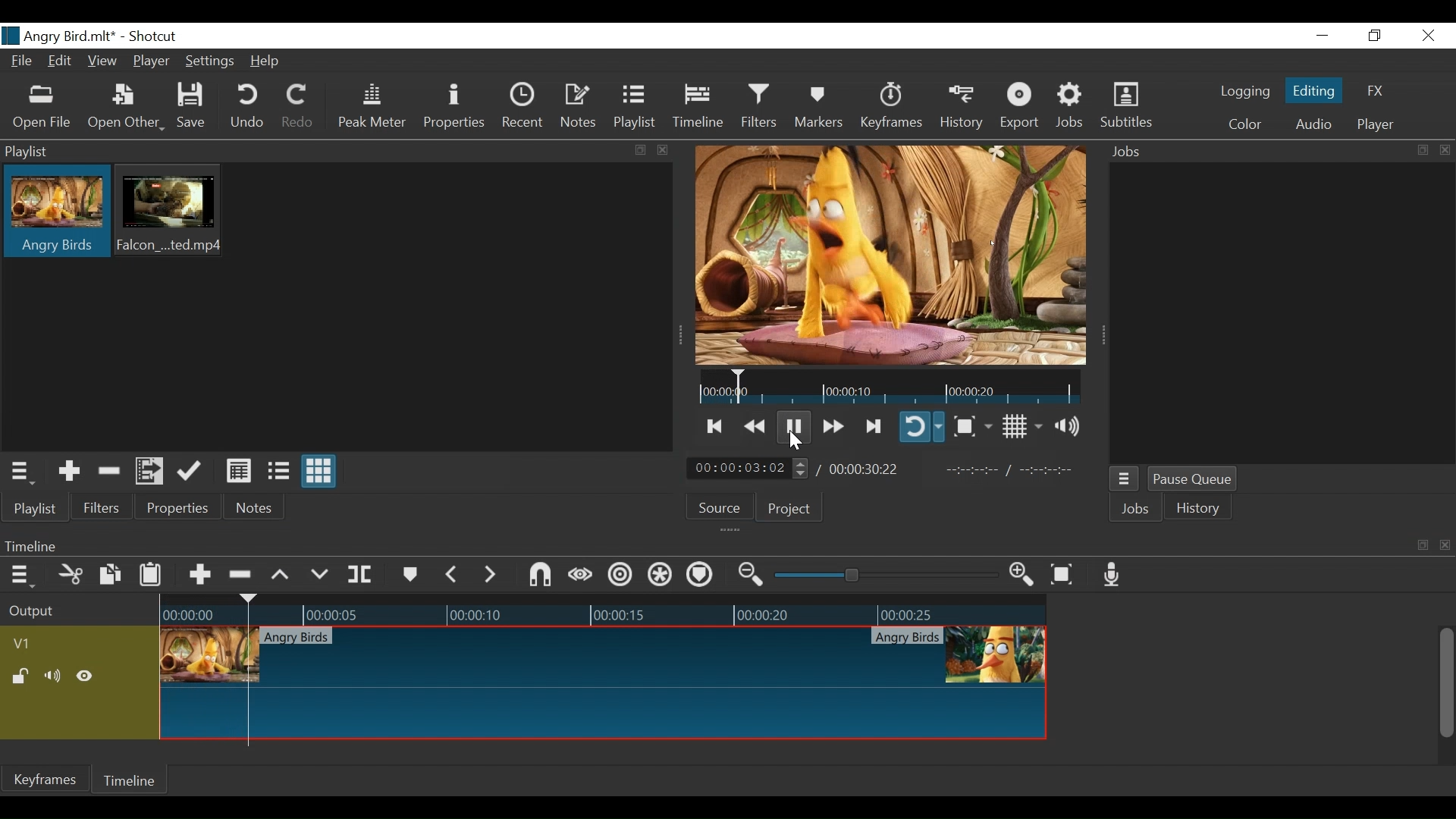 The image size is (1456, 819). I want to click on Playlist , so click(34, 508).